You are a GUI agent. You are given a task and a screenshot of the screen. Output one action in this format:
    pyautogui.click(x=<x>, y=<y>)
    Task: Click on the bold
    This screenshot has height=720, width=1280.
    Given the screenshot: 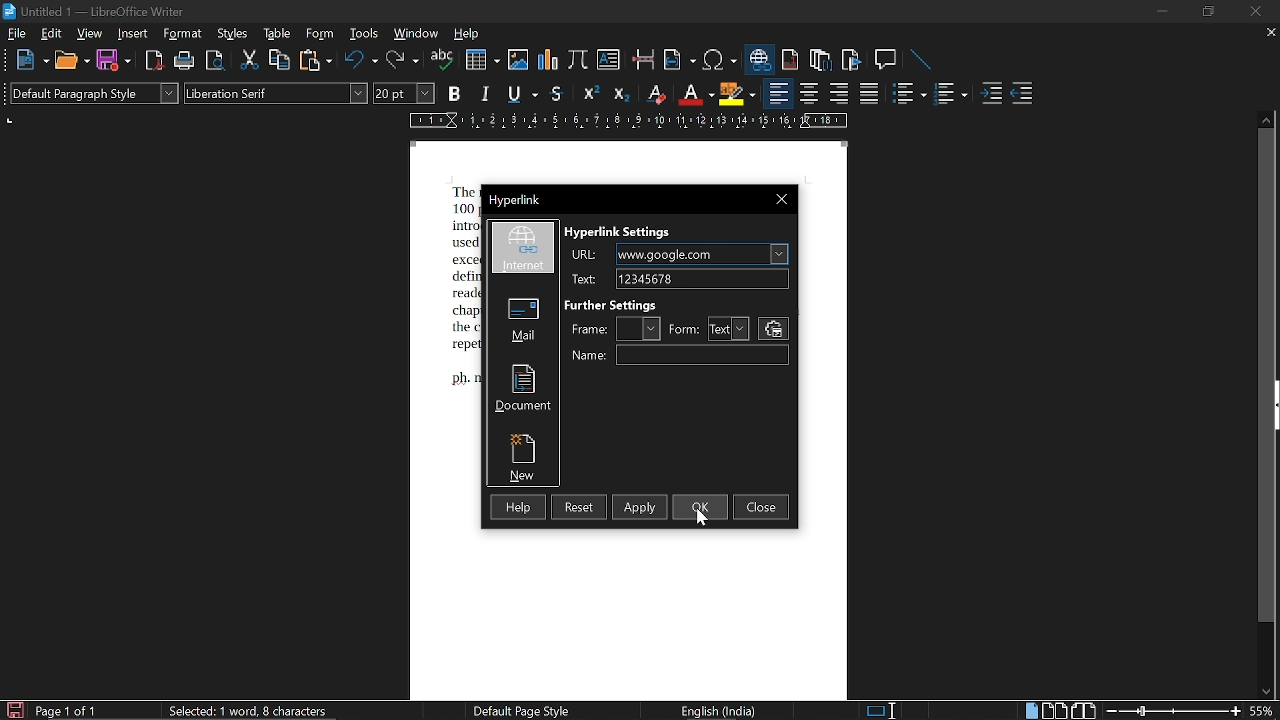 What is the action you would take?
    pyautogui.click(x=453, y=95)
    